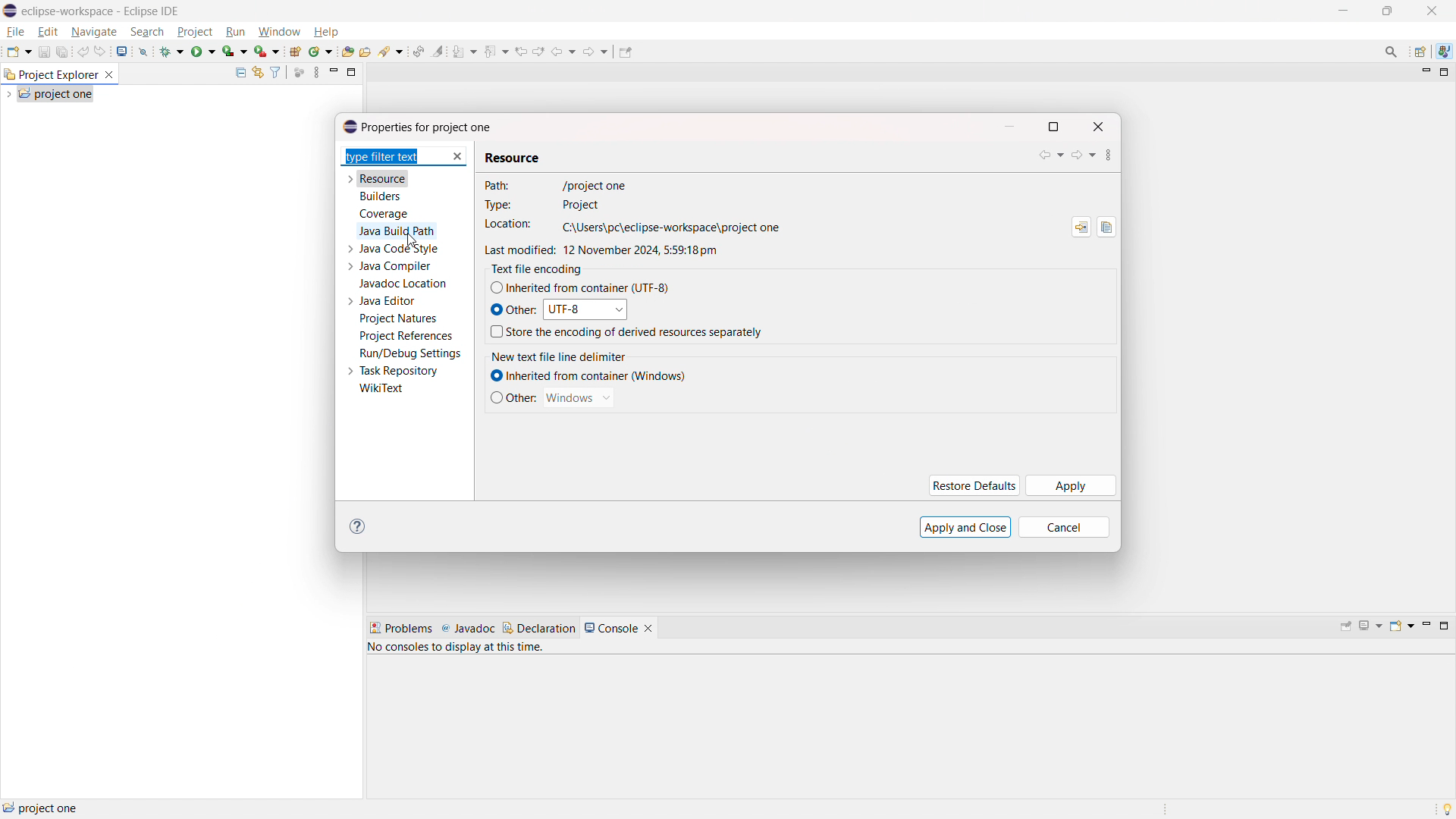  What do you see at coordinates (240, 72) in the screenshot?
I see `collapse all` at bounding box center [240, 72].